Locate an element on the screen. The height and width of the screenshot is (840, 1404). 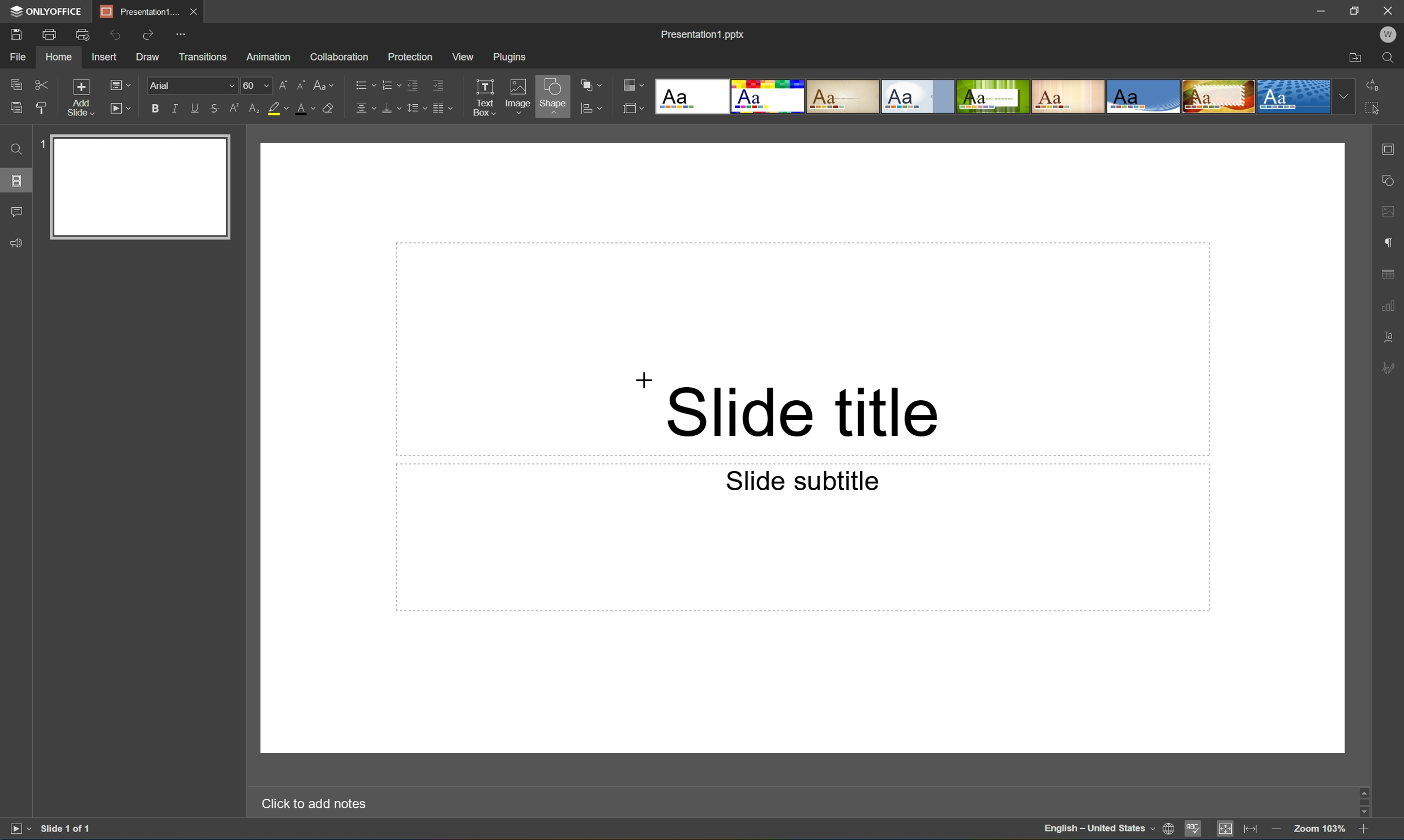
Add slide is located at coordinates (78, 96).